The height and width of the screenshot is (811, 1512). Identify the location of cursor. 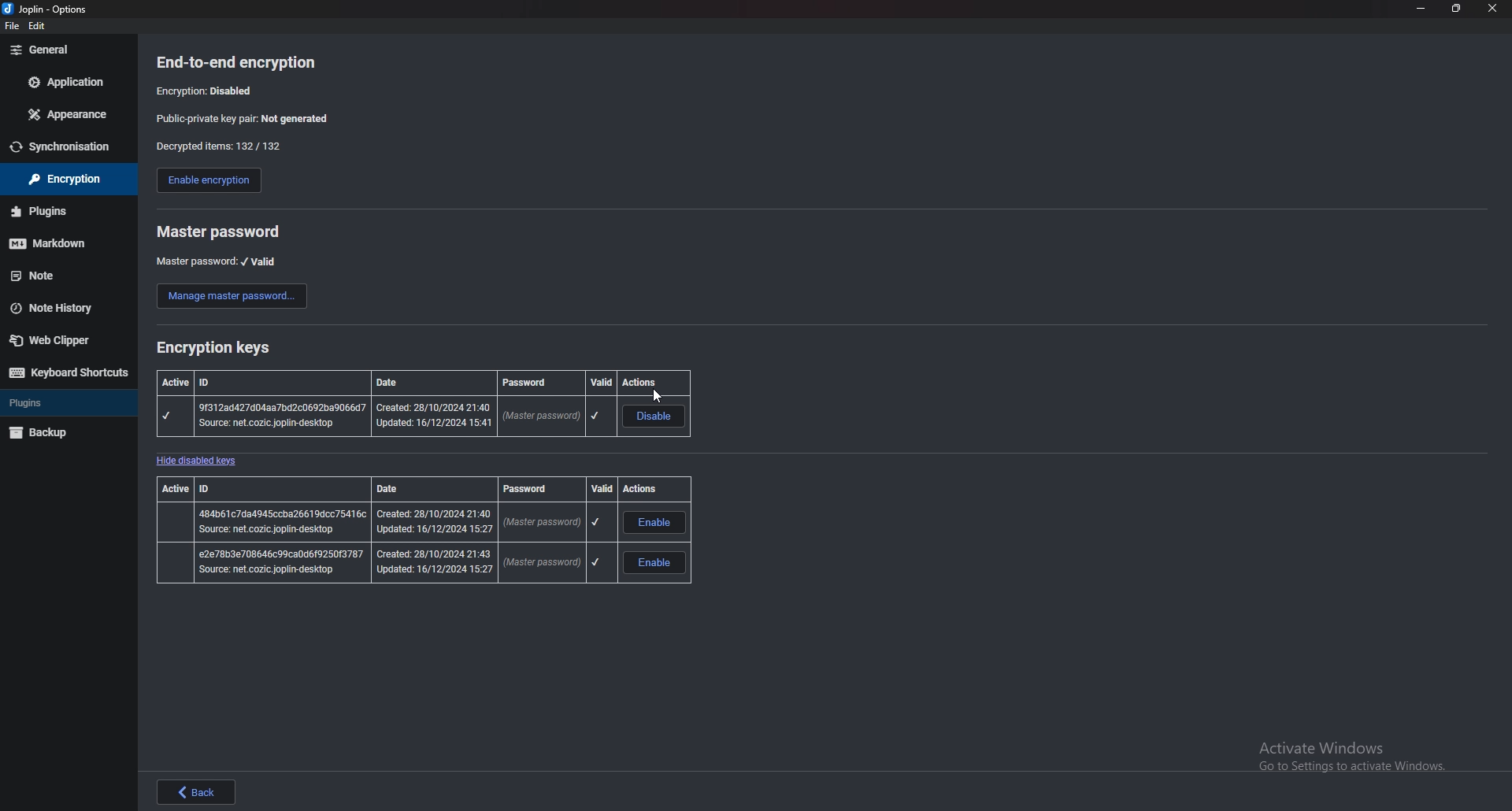
(658, 398).